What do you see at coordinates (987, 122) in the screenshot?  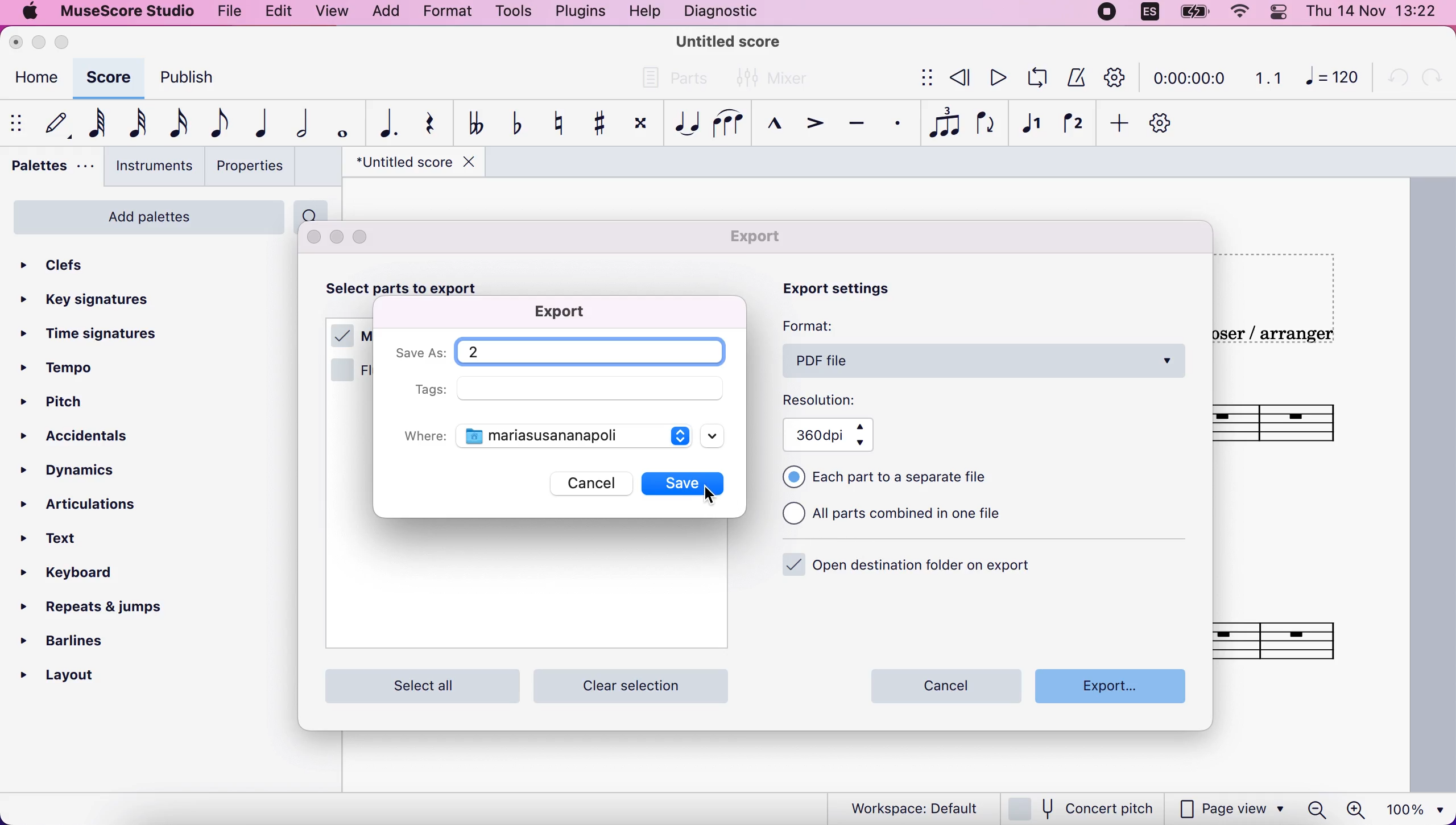 I see `flip direction` at bounding box center [987, 122].